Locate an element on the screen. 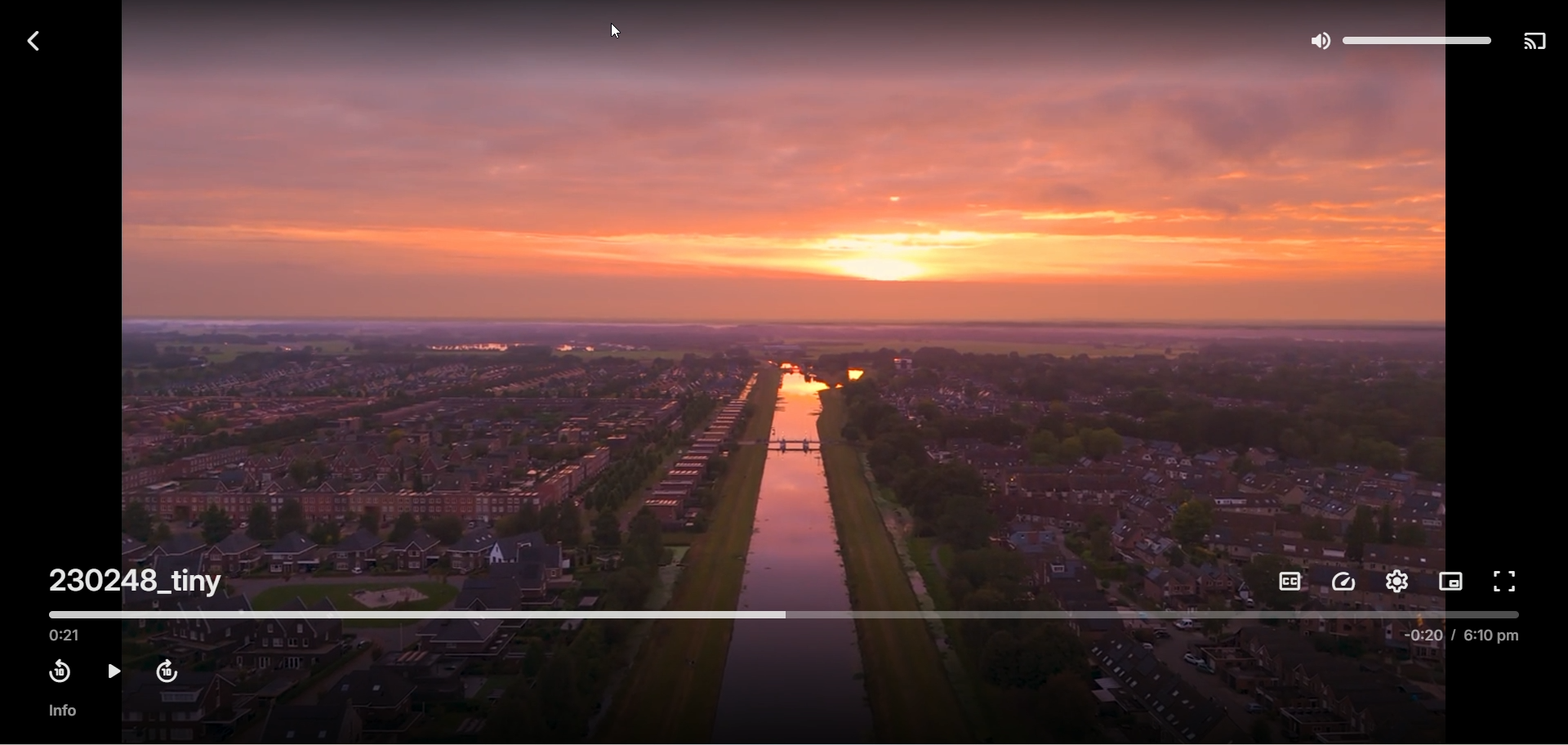 This screenshot has height=745, width=1568. rewind is located at coordinates (60, 671).